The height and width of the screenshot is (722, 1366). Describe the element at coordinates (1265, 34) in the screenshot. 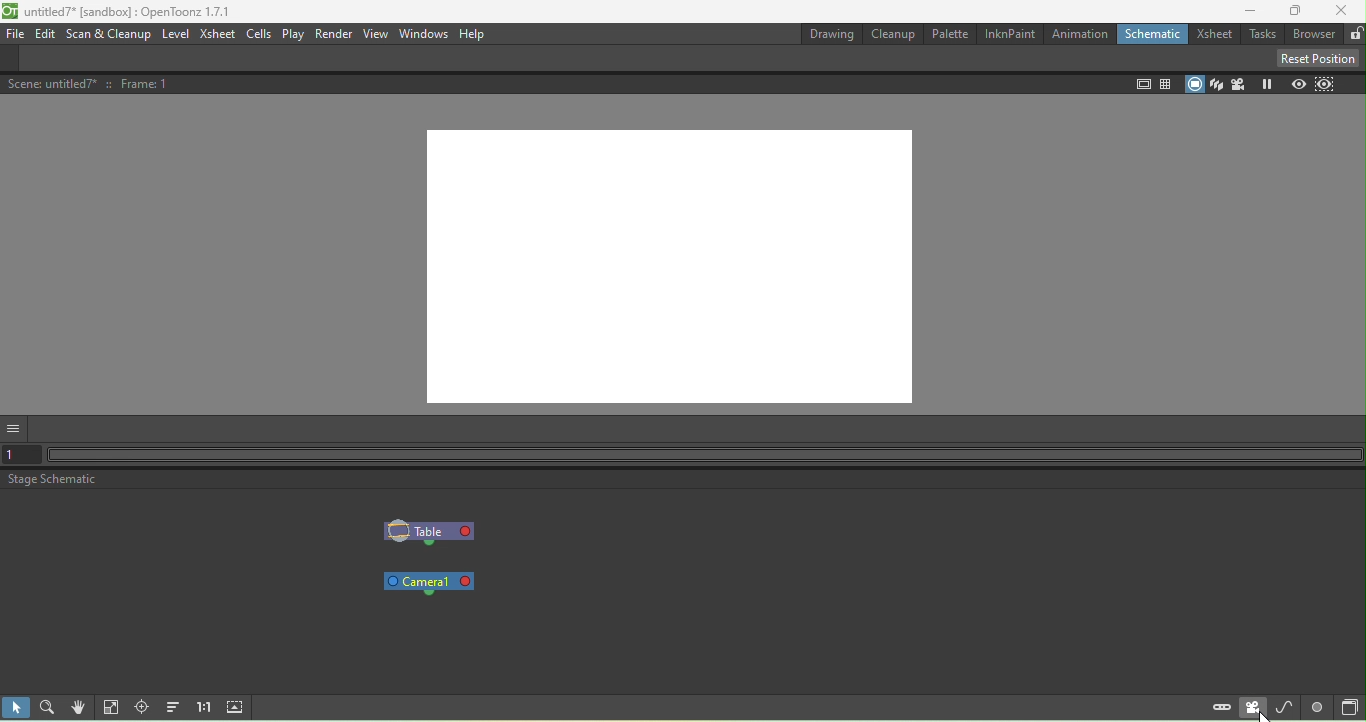

I see `Tasks` at that location.